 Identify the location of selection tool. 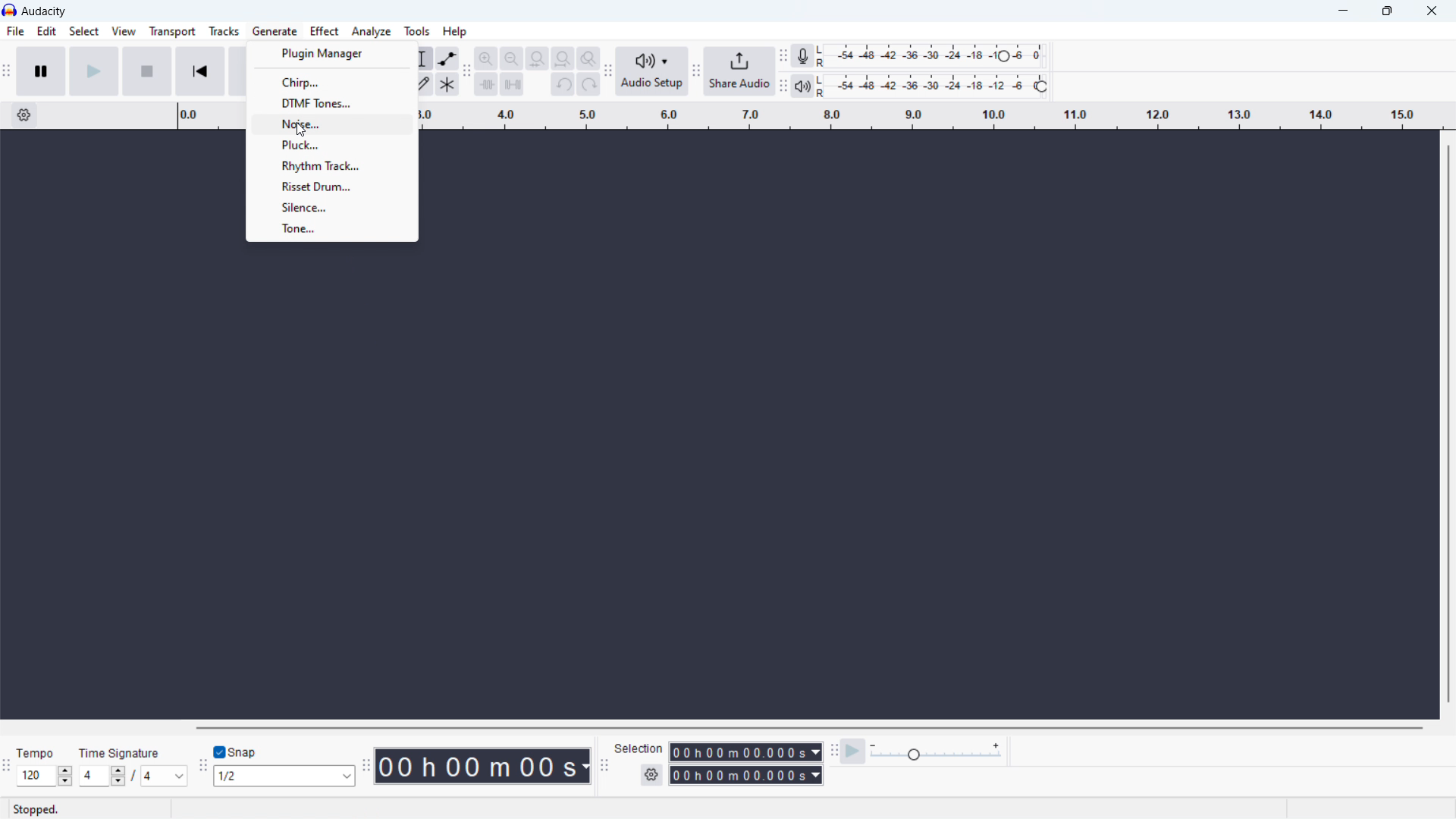
(422, 58).